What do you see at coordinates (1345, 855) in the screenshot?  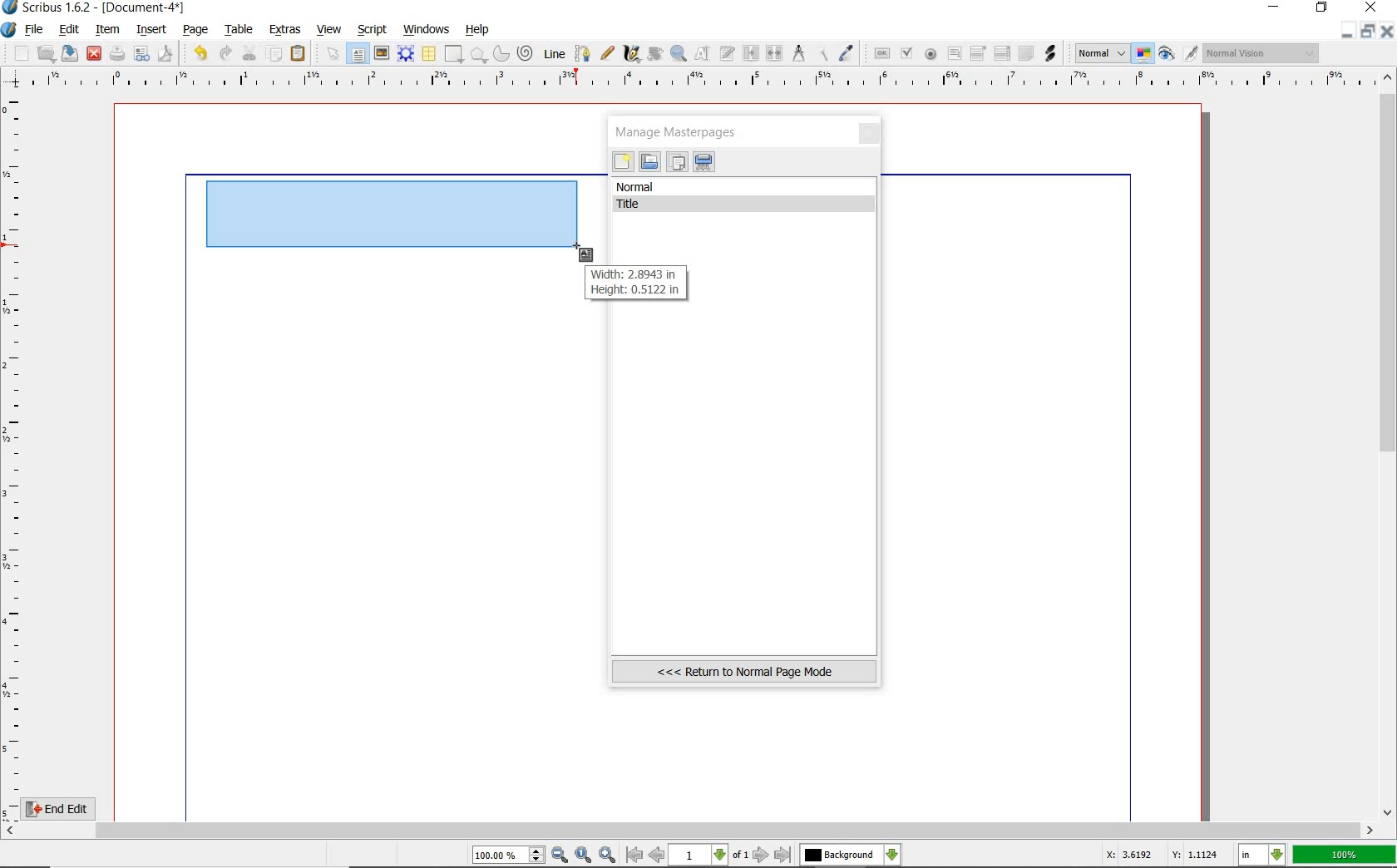 I see `100%` at bounding box center [1345, 855].